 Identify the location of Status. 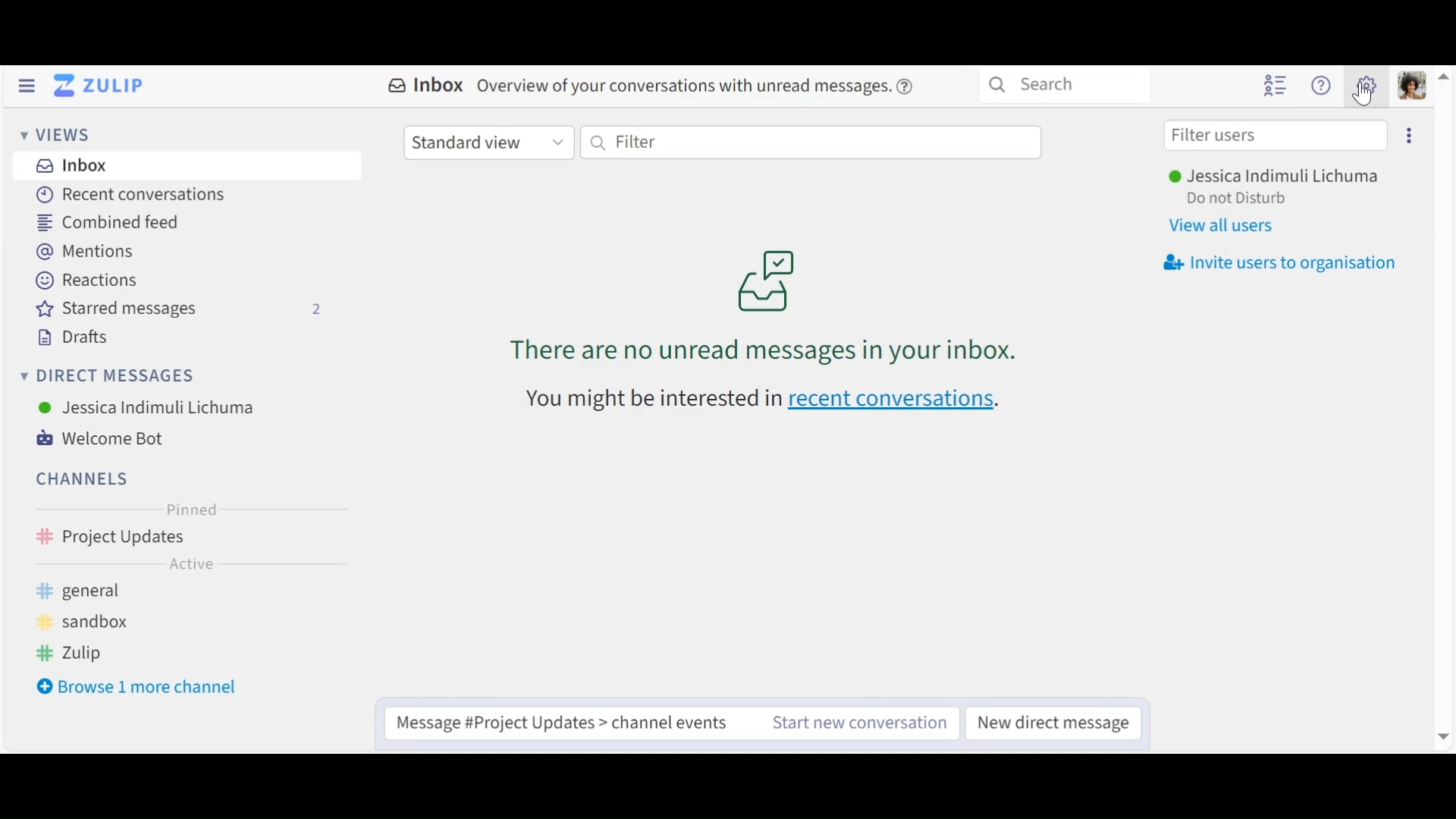
(1237, 199).